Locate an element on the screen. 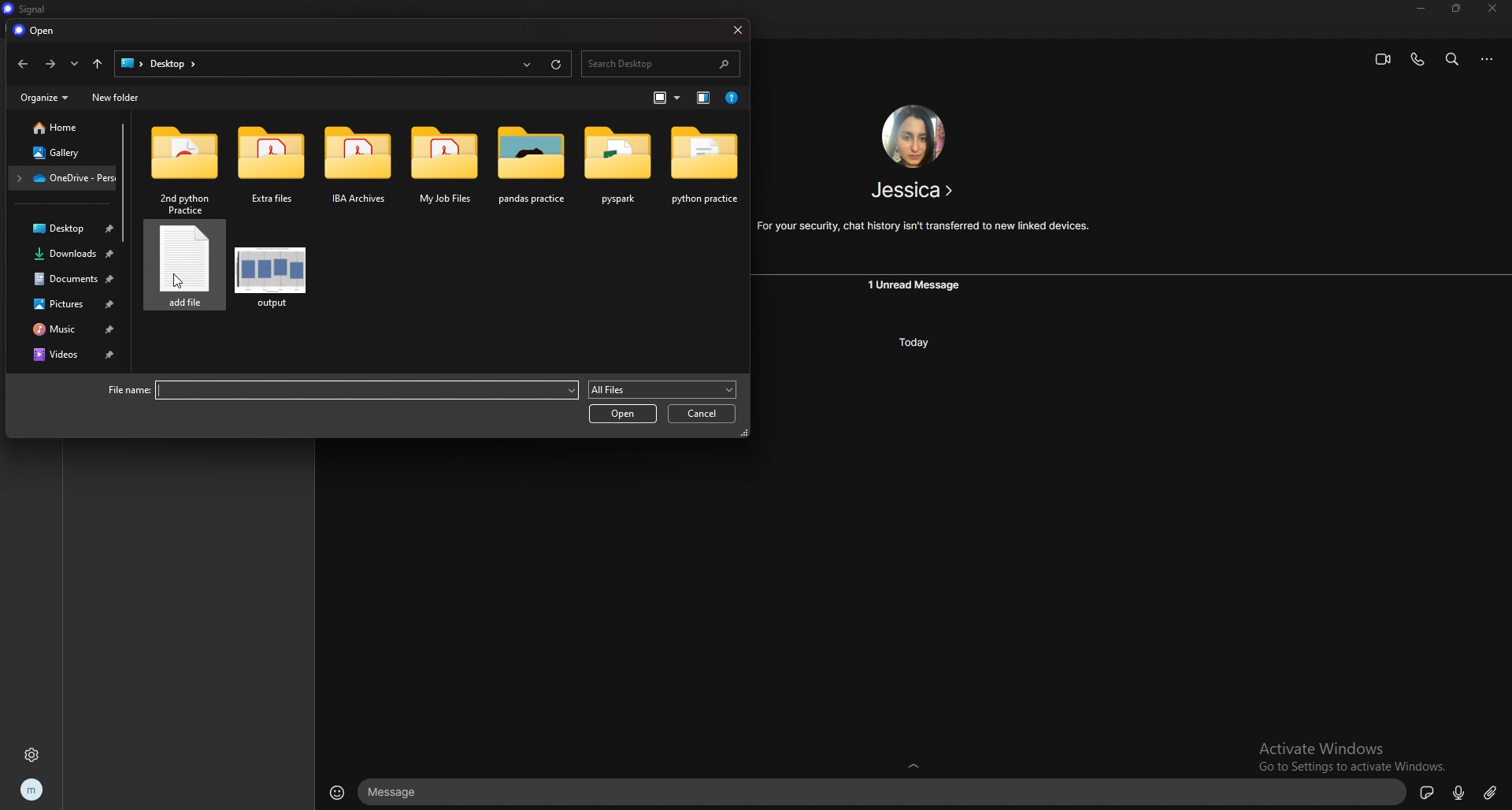  folder is located at coordinates (617, 168).